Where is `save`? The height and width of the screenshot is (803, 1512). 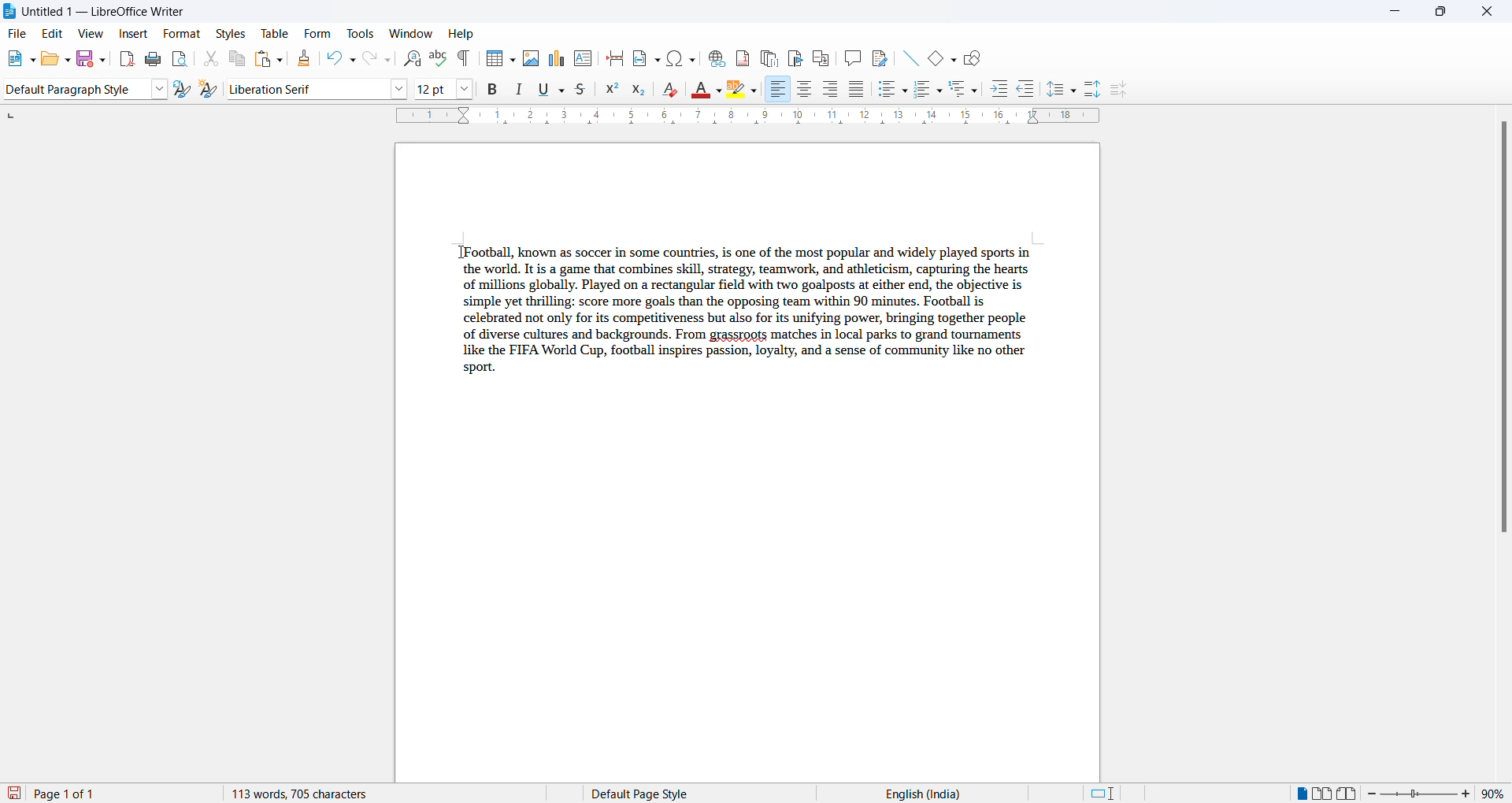
save is located at coordinates (14, 793).